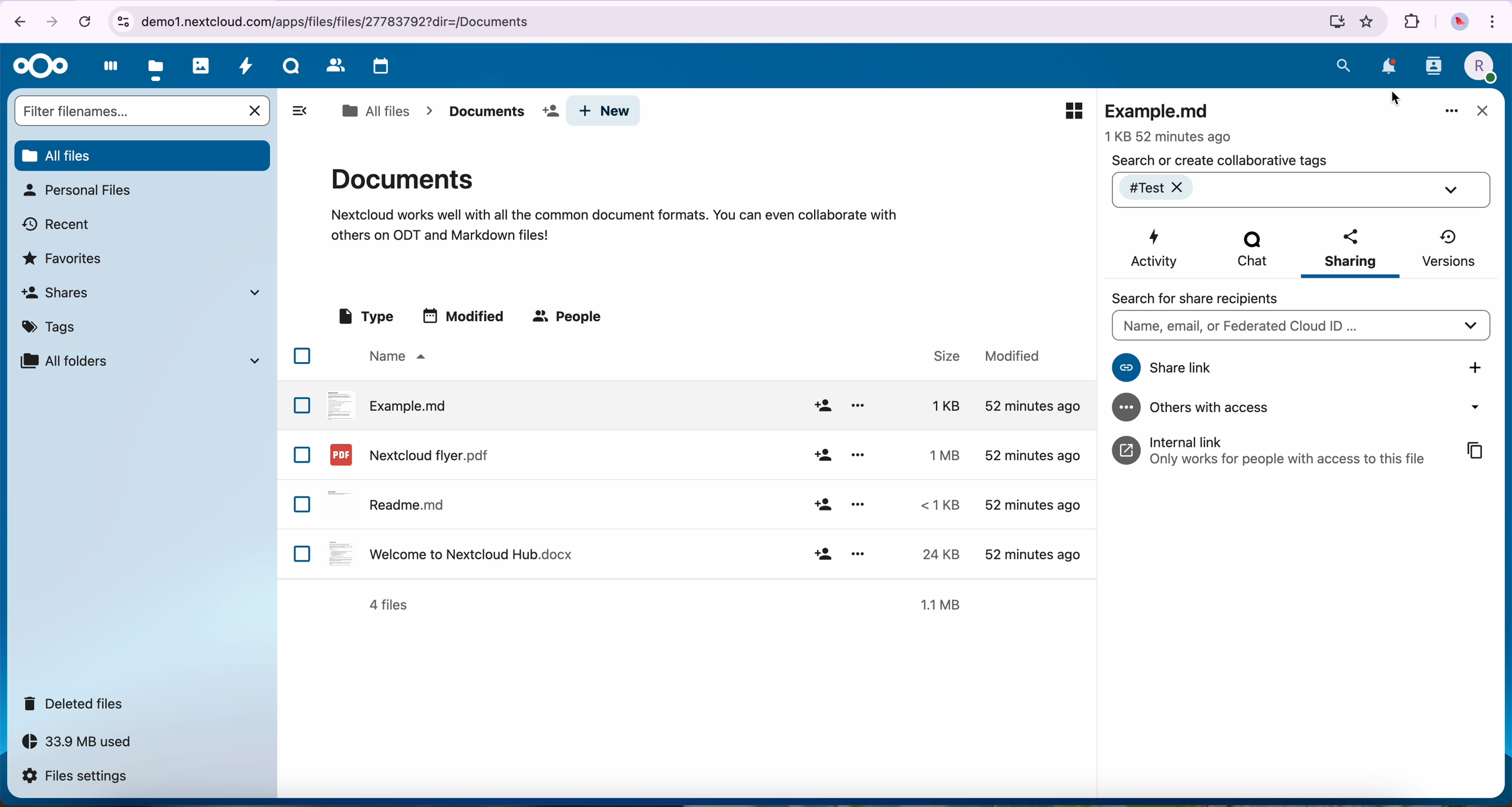  I want to click on new button, so click(604, 111).